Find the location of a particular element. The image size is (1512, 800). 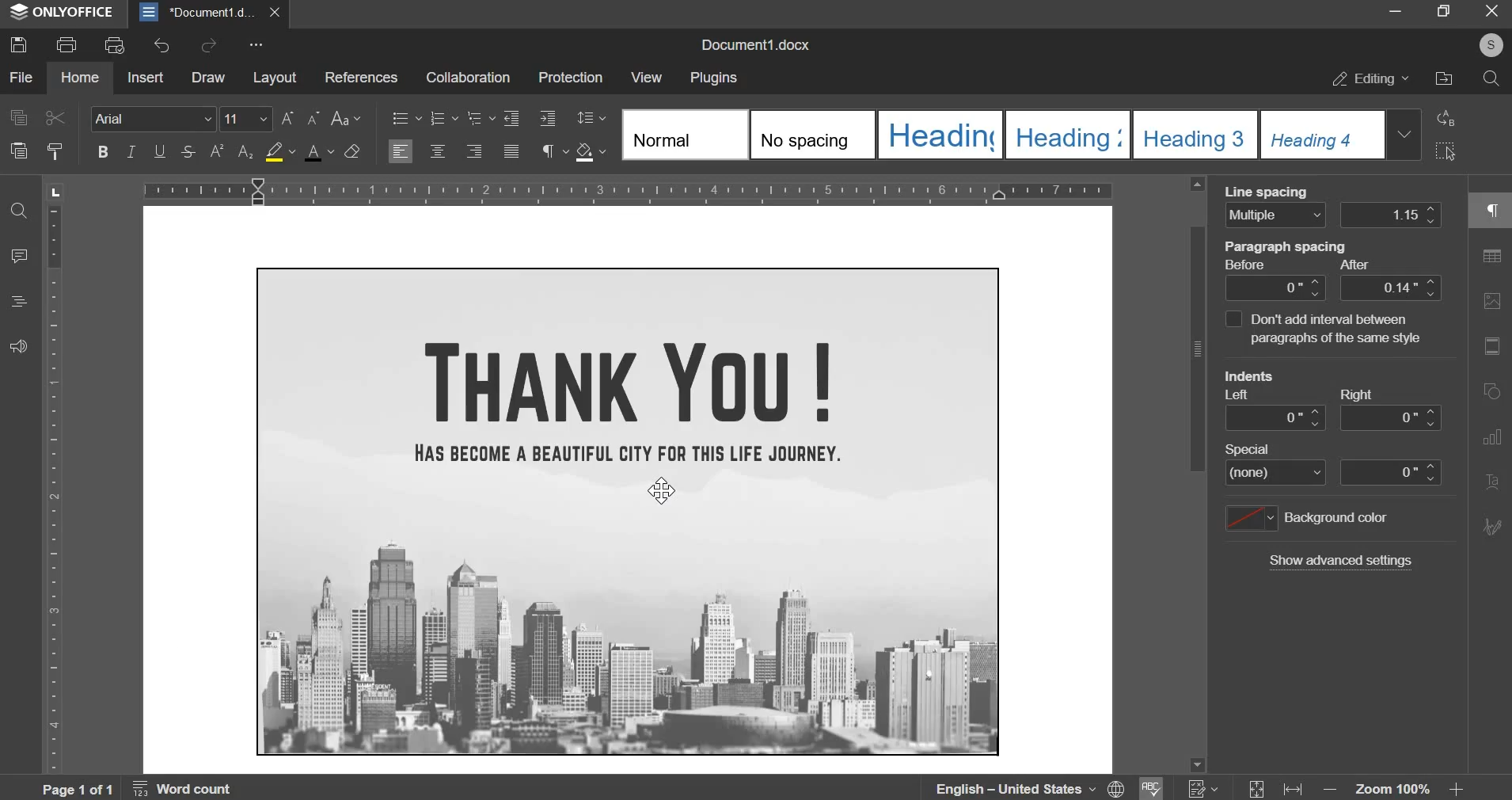

Left is located at coordinates (1243, 395).